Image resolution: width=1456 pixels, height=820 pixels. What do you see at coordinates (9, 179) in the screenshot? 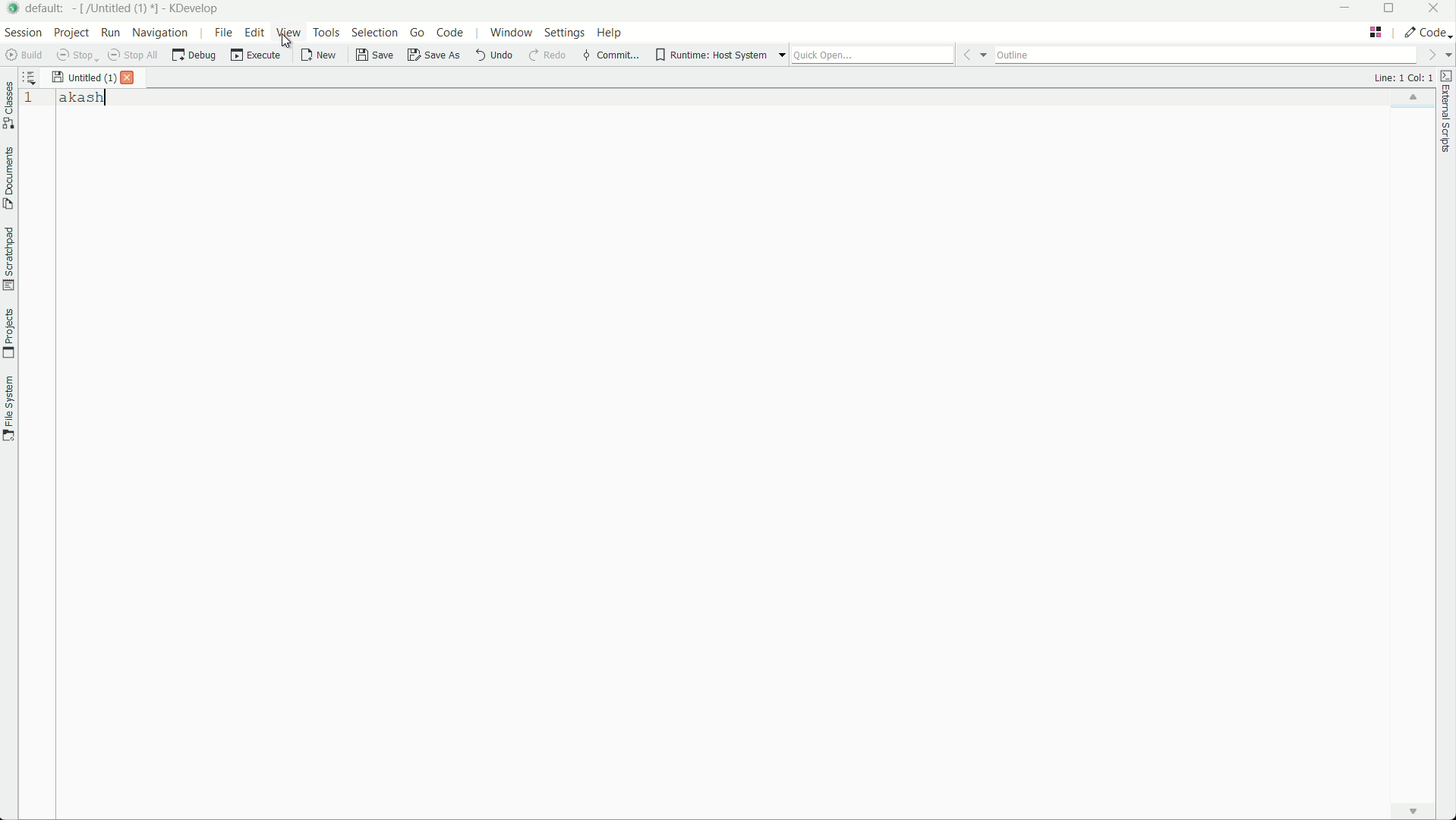
I see `document` at bounding box center [9, 179].